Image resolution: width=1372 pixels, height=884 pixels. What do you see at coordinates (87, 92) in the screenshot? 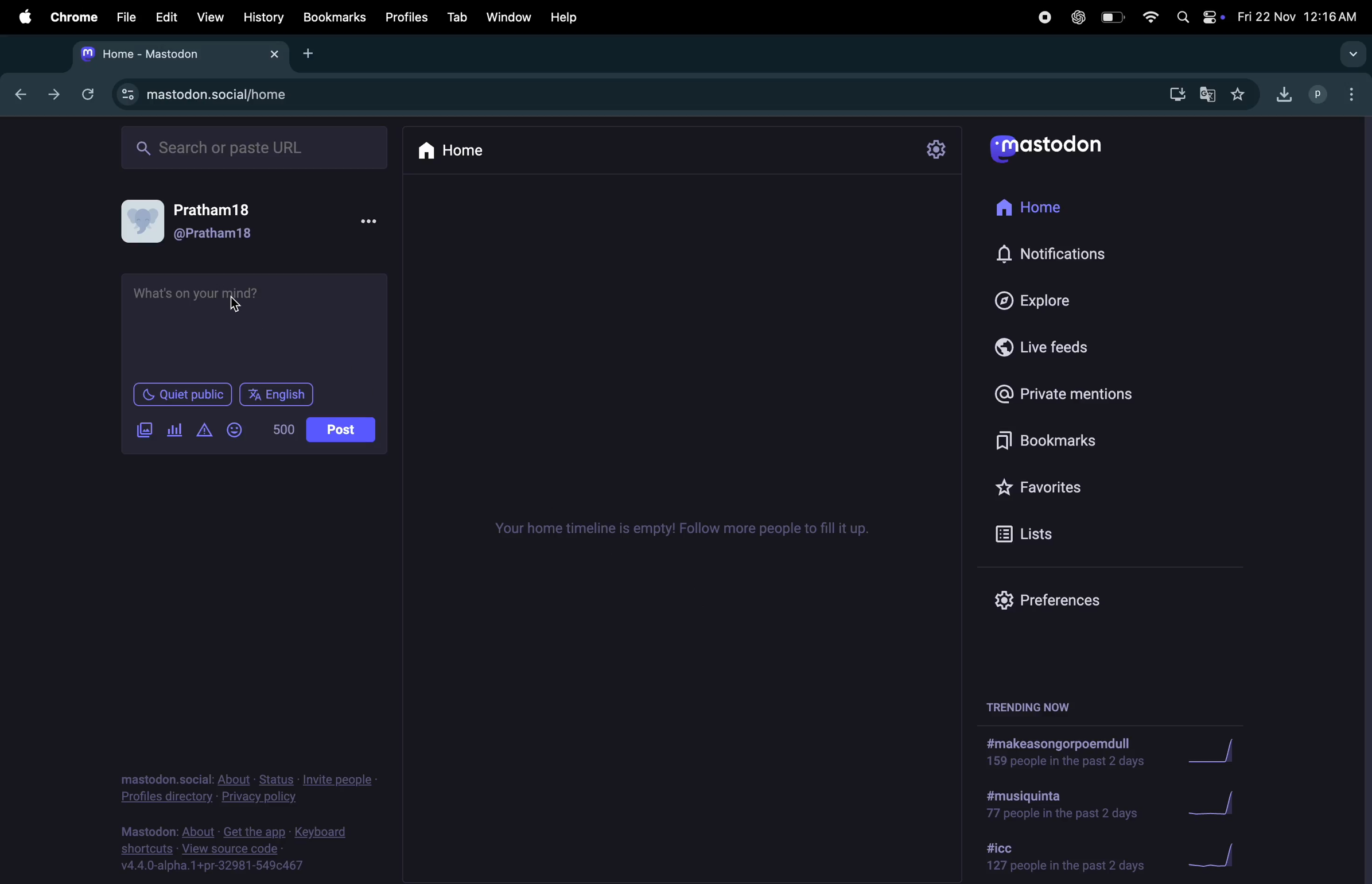
I see `refresh` at bounding box center [87, 92].